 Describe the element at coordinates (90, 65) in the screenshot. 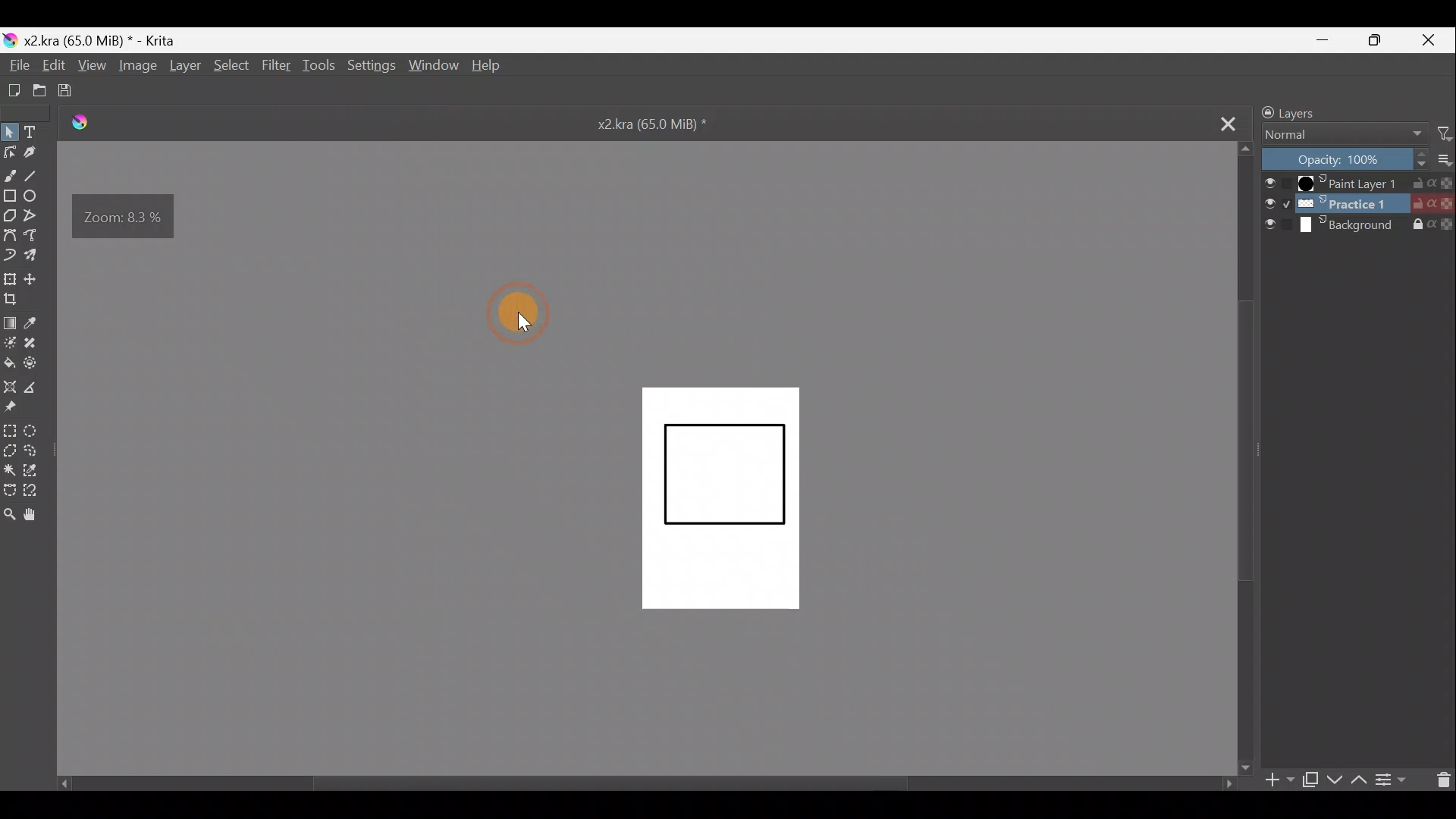

I see `View` at that location.